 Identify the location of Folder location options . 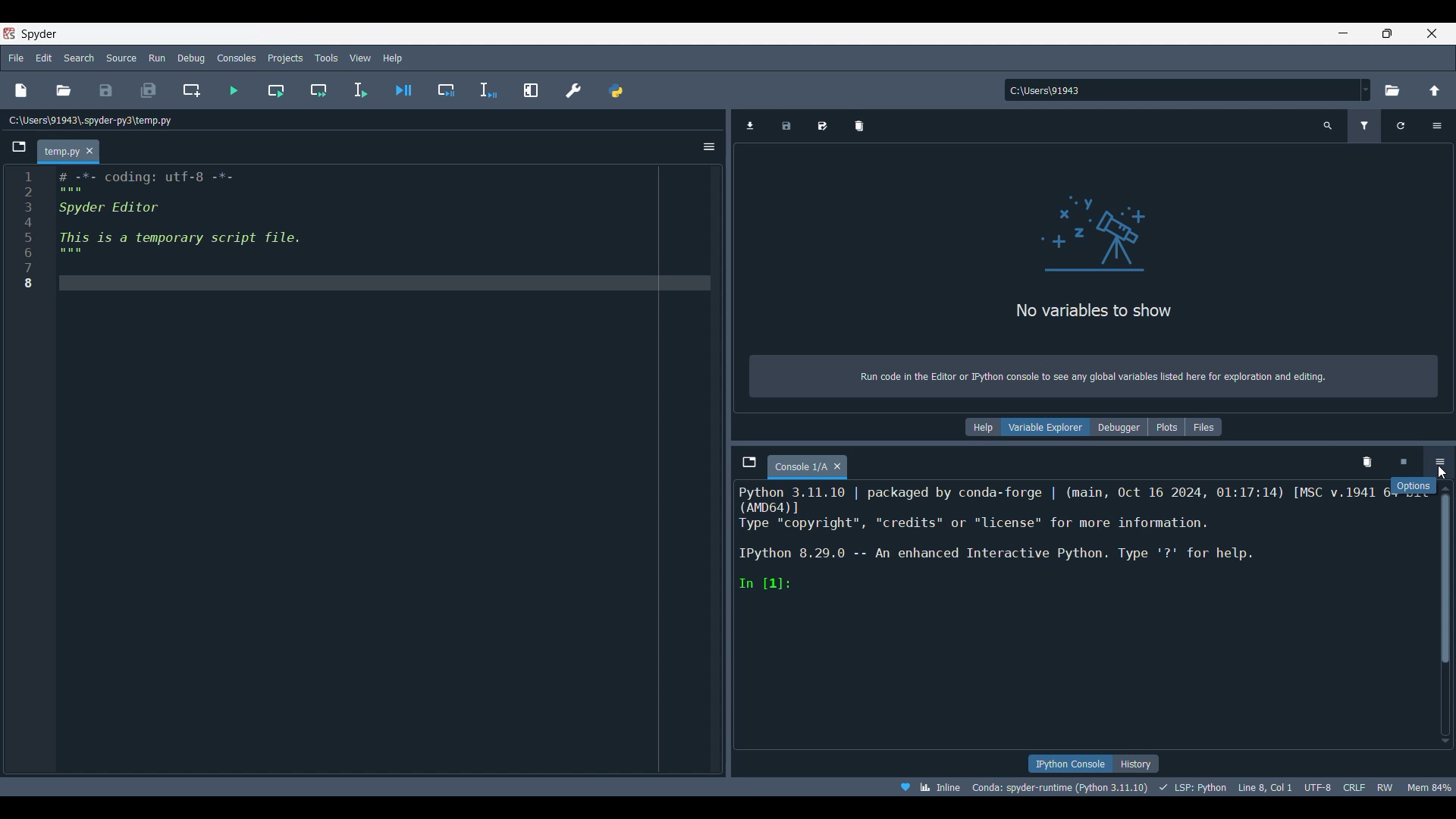
(1366, 89).